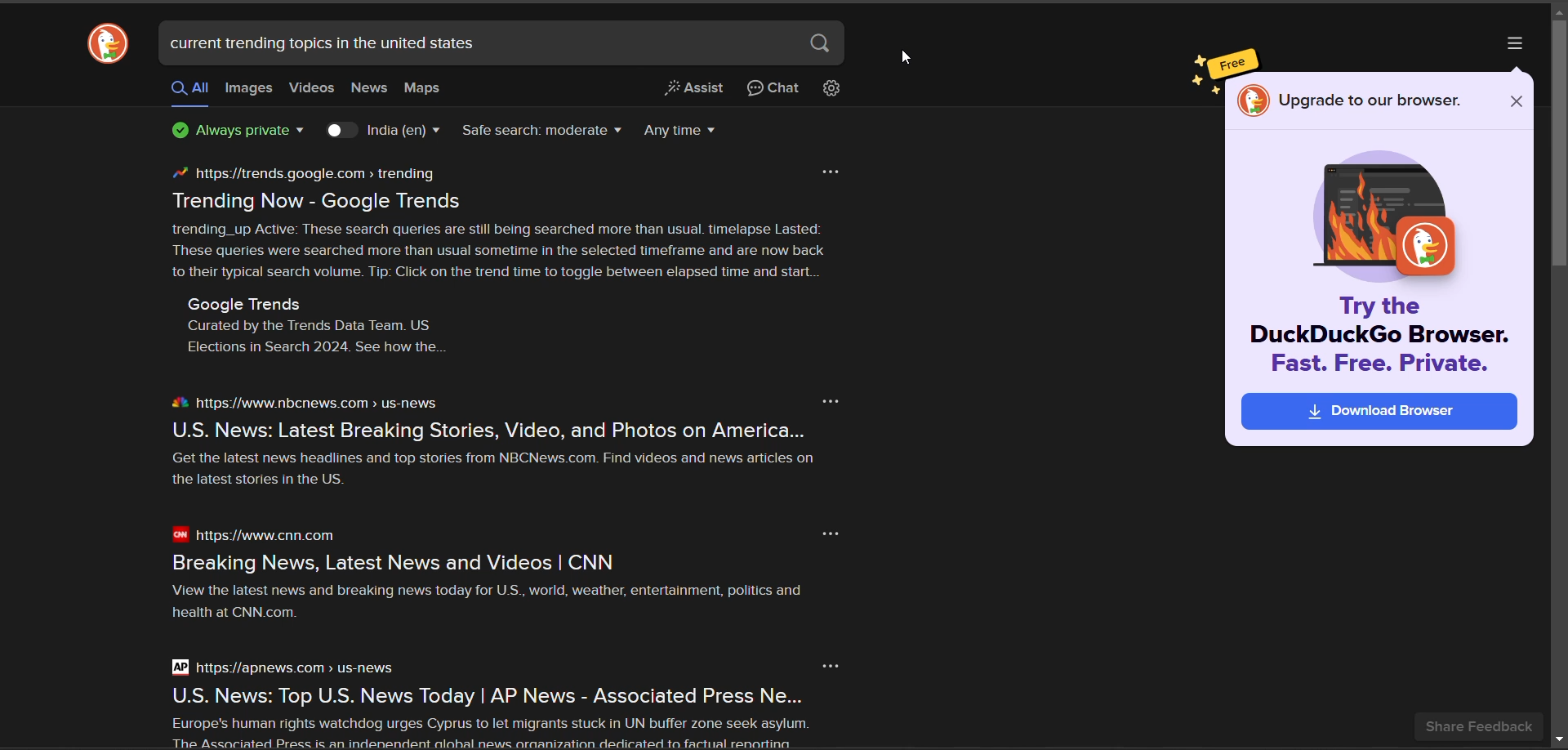 The width and height of the screenshot is (1568, 750). Describe the element at coordinates (426, 89) in the screenshot. I see `maps` at that location.